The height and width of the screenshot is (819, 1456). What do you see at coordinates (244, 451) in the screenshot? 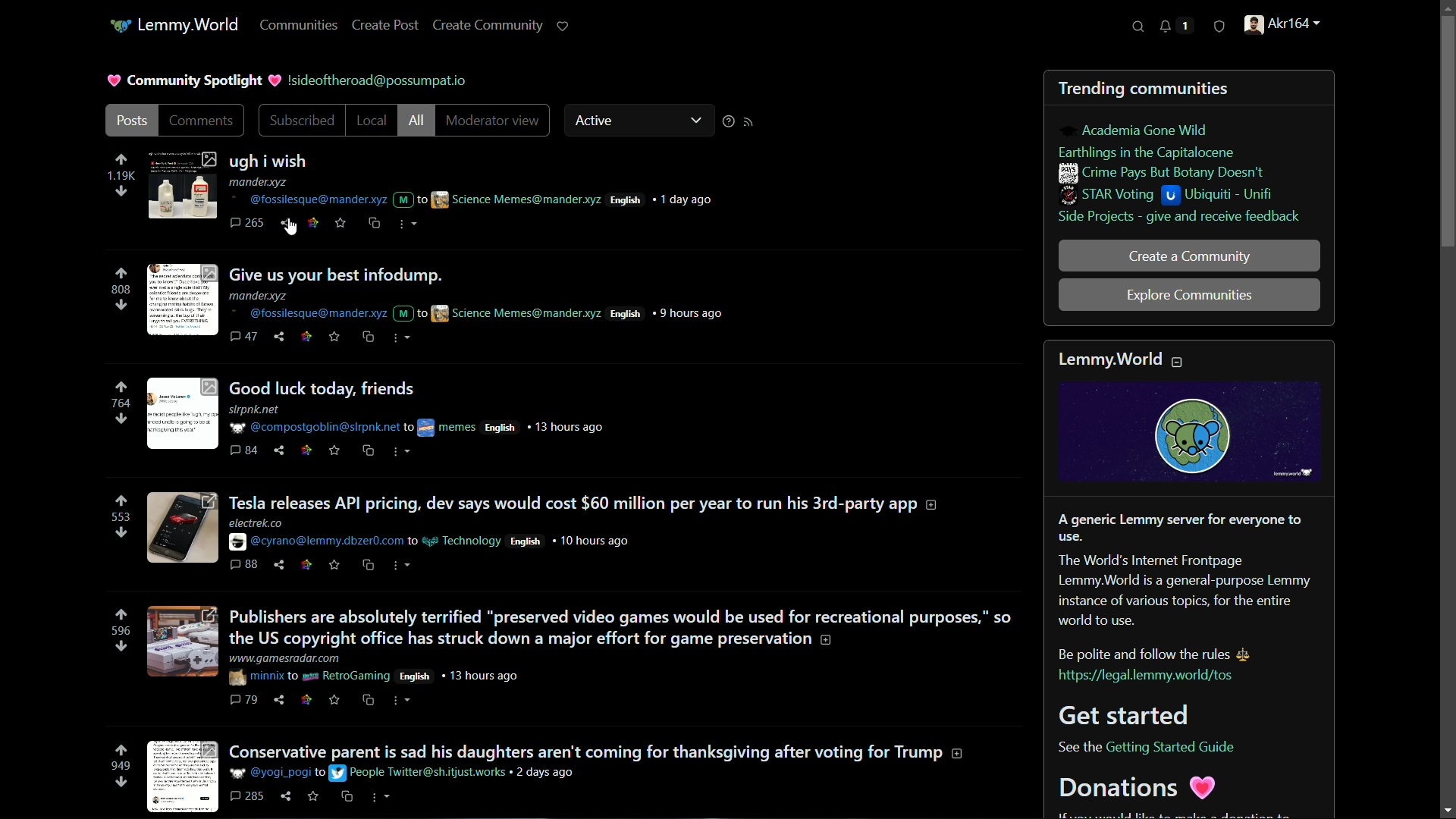
I see `84 comments` at bounding box center [244, 451].